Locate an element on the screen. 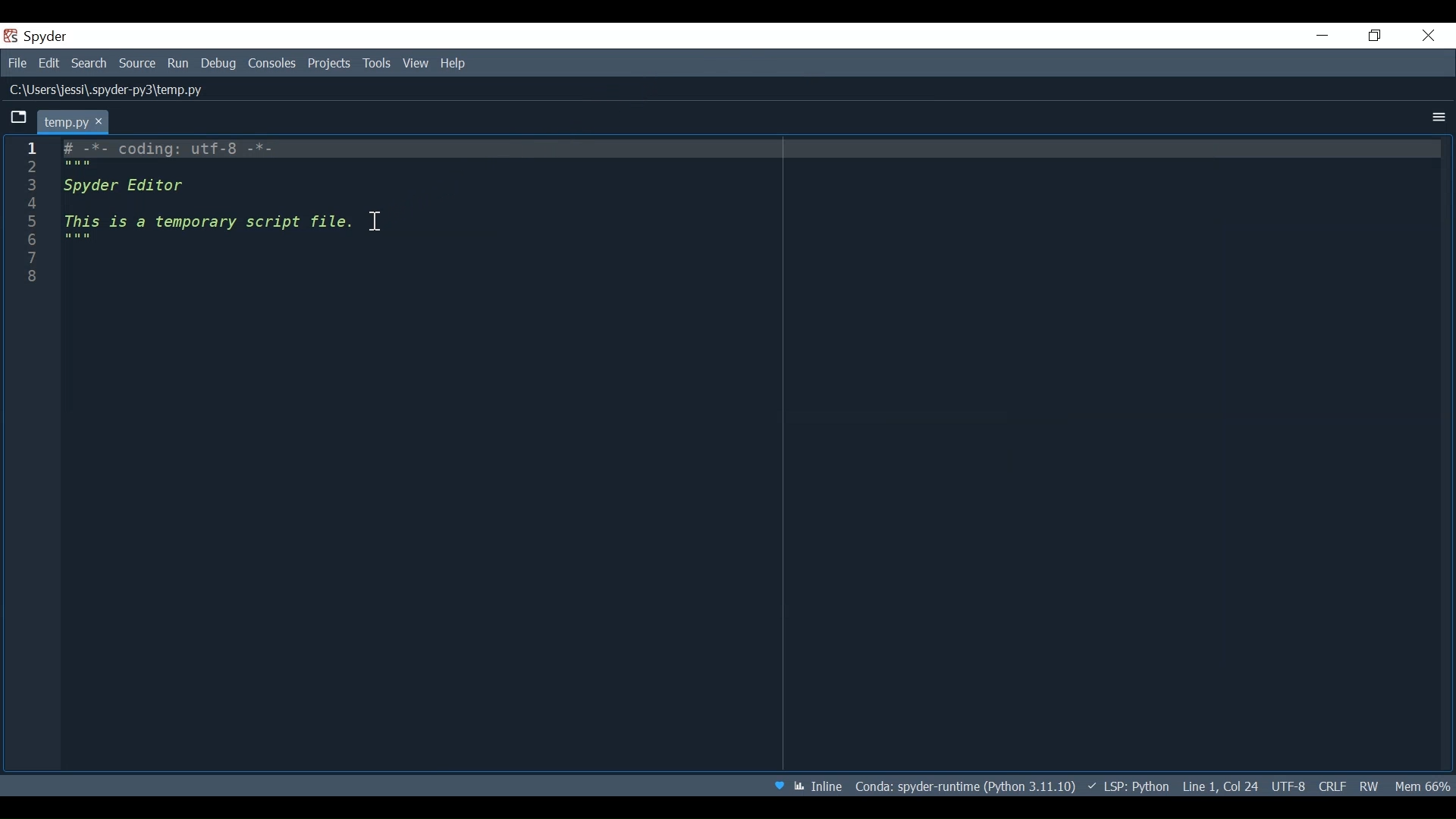 This screenshot has width=1456, height=819. Toggle between inline and interactive Matplotlib plotting is located at coordinates (818, 786).